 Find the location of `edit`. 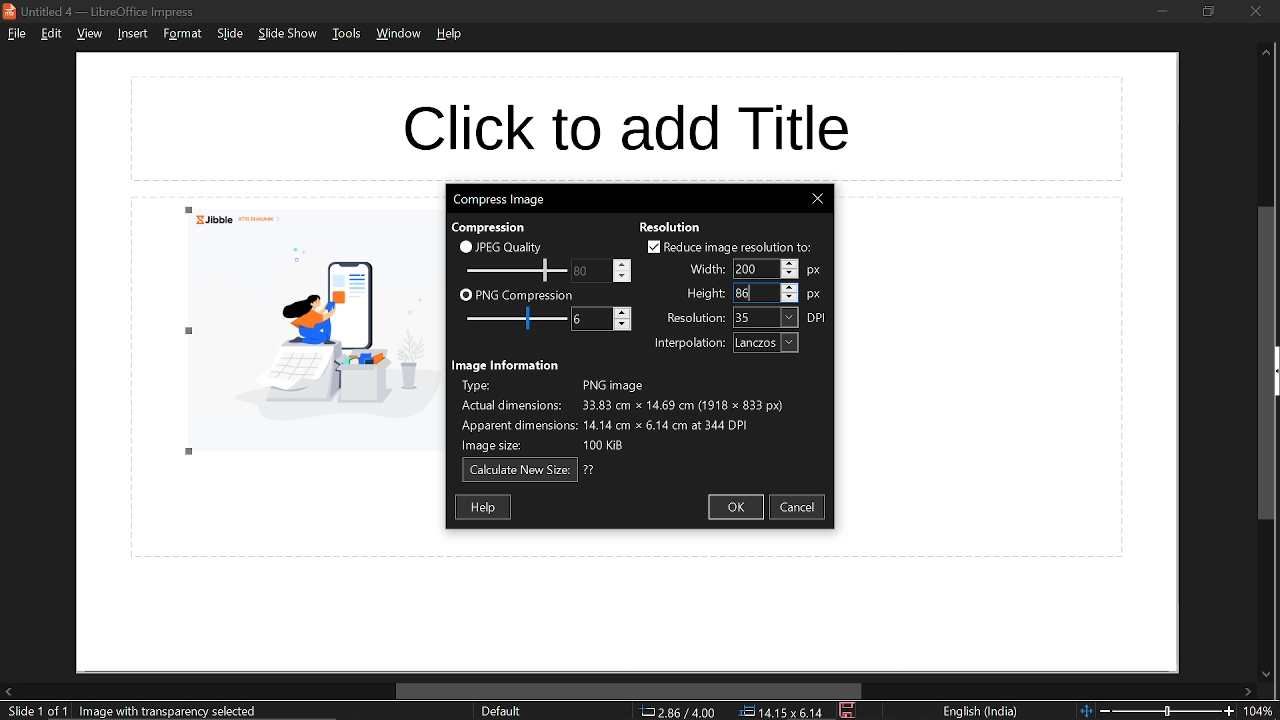

edit is located at coordinates (53, 33).